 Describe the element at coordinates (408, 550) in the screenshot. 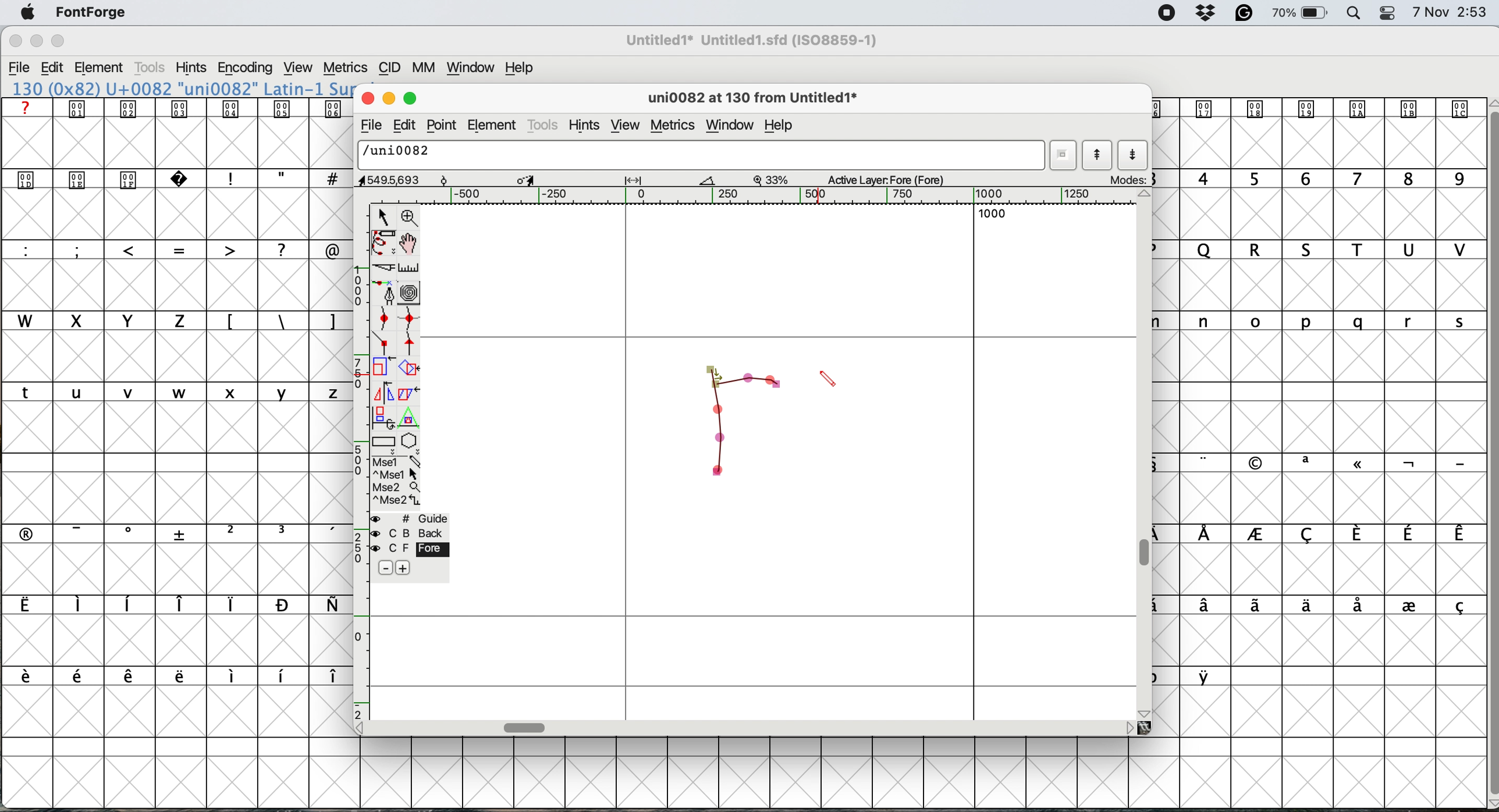

I see `fore` at that location.